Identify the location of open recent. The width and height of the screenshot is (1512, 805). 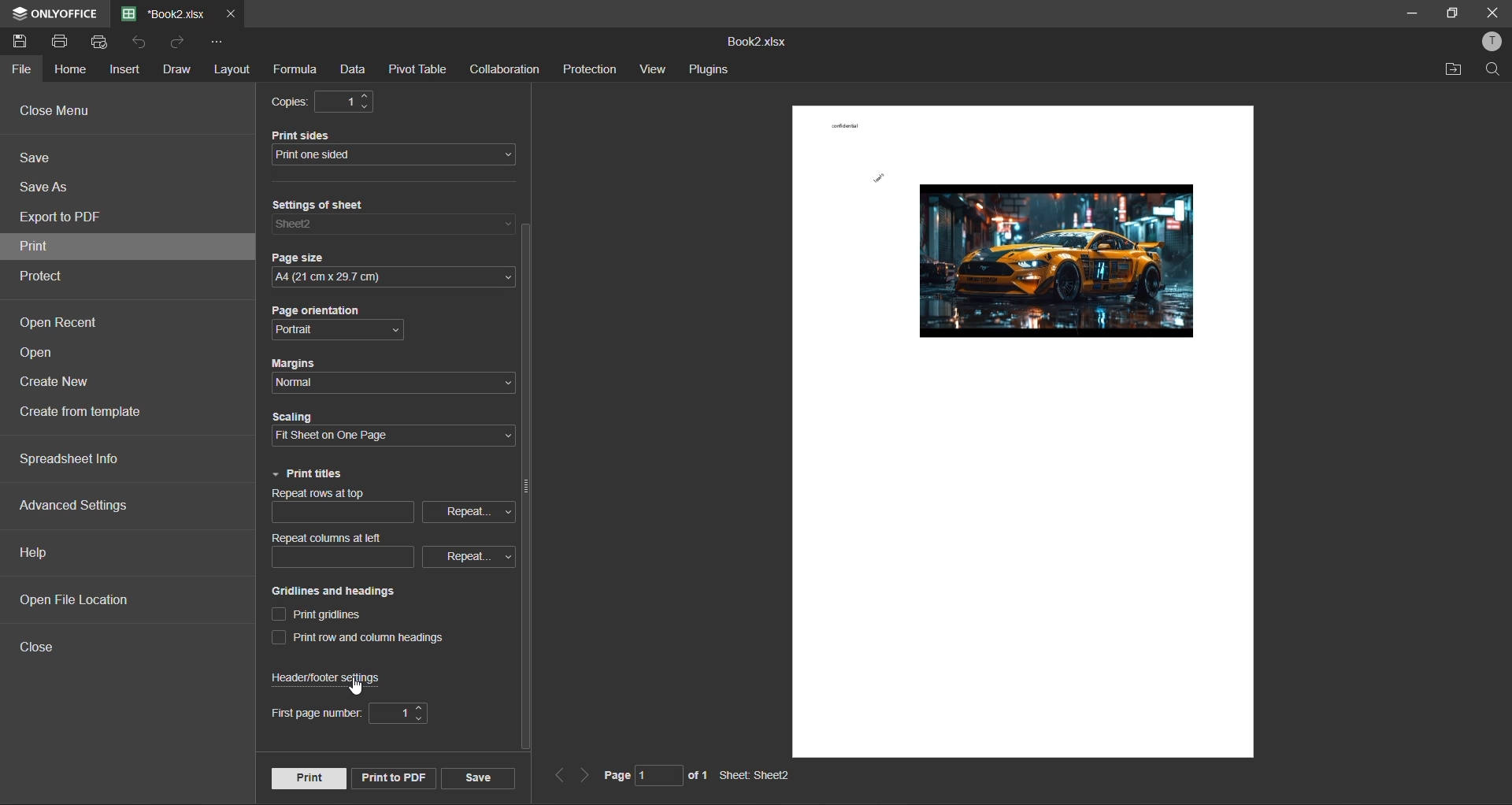
(58, 319).